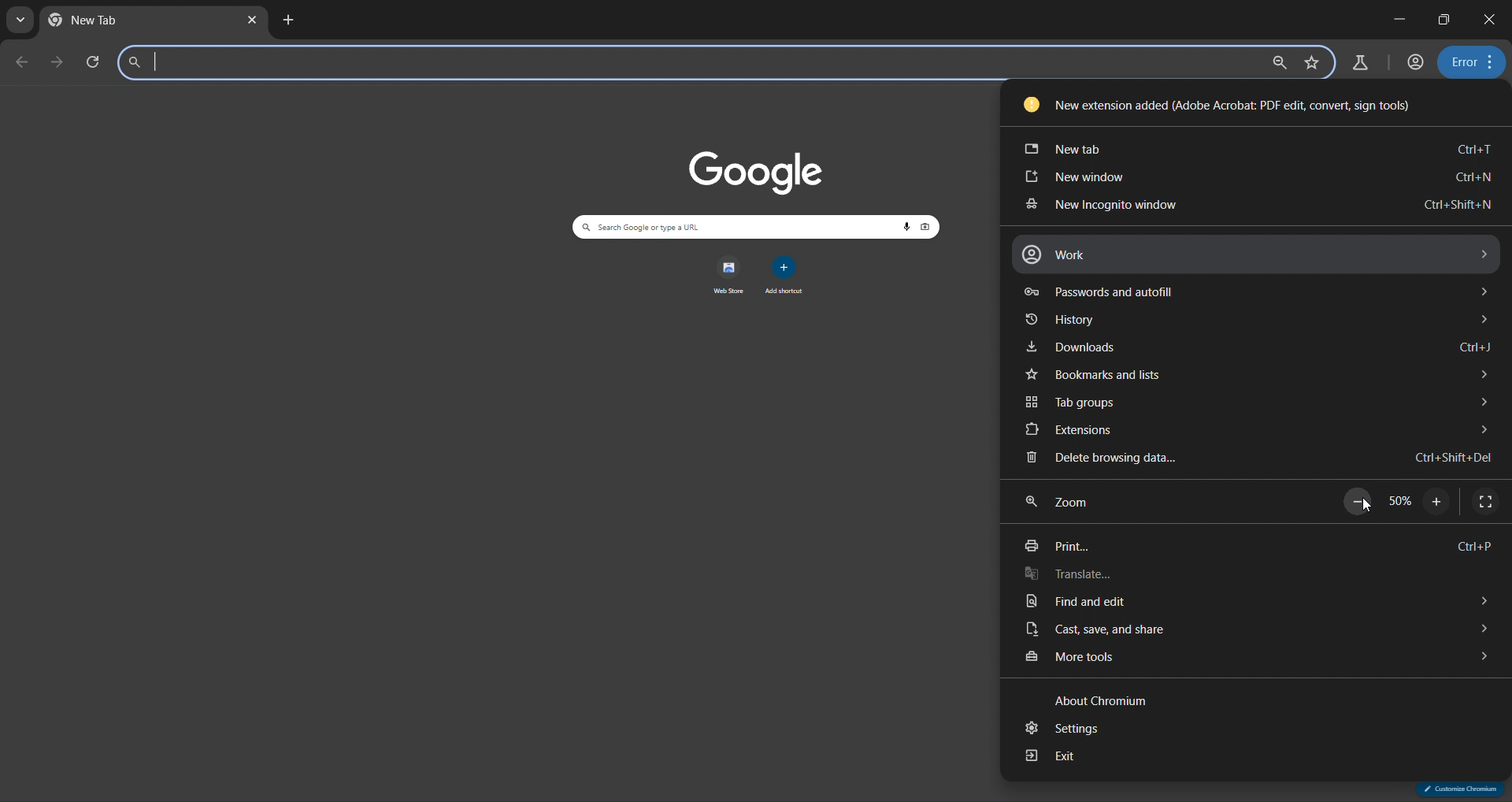 This screenshot has height=802, width=1512. I want to click on search panel, so click(695, 62).